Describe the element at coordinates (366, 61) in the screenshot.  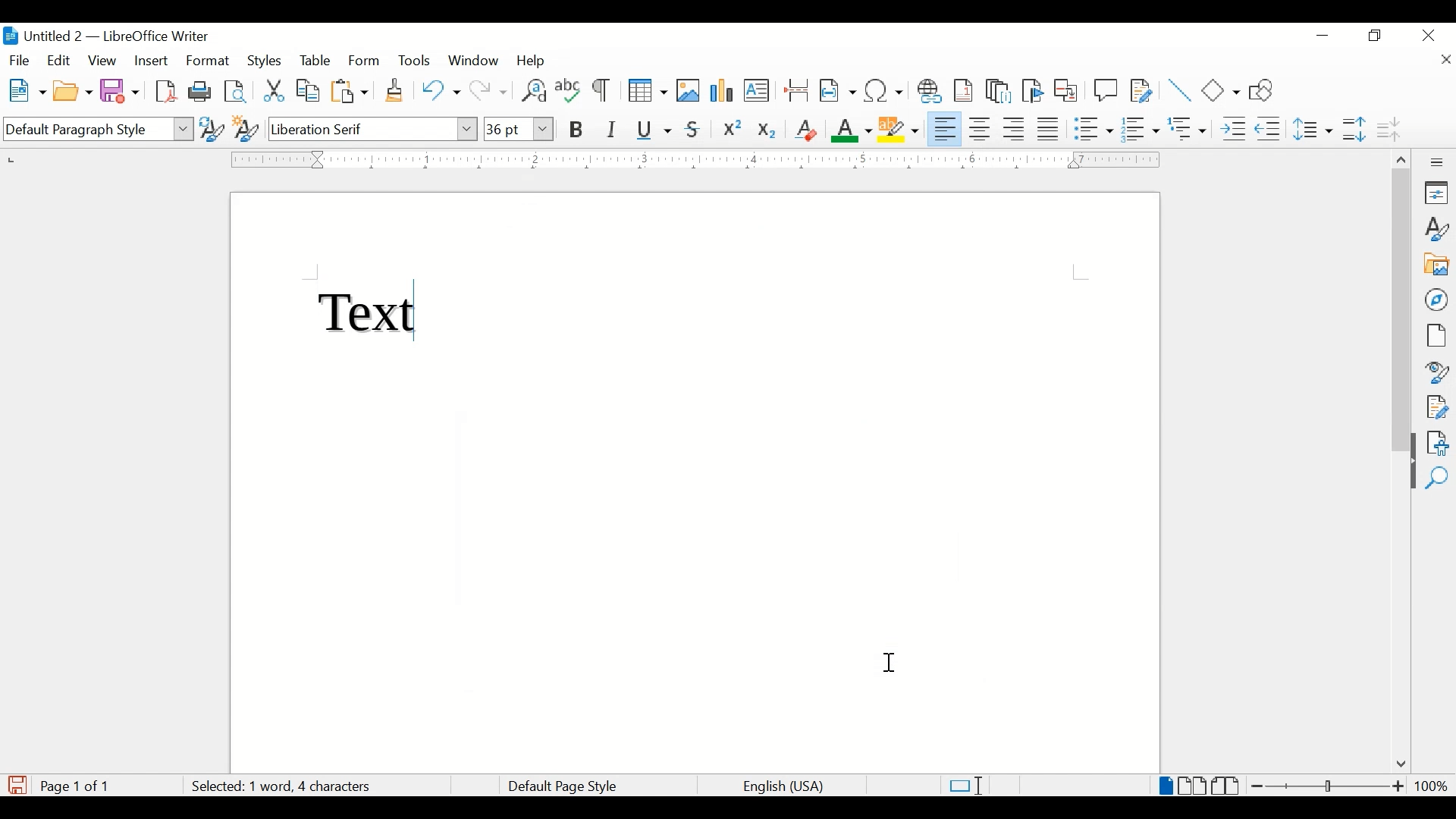
I see `form` at that location.